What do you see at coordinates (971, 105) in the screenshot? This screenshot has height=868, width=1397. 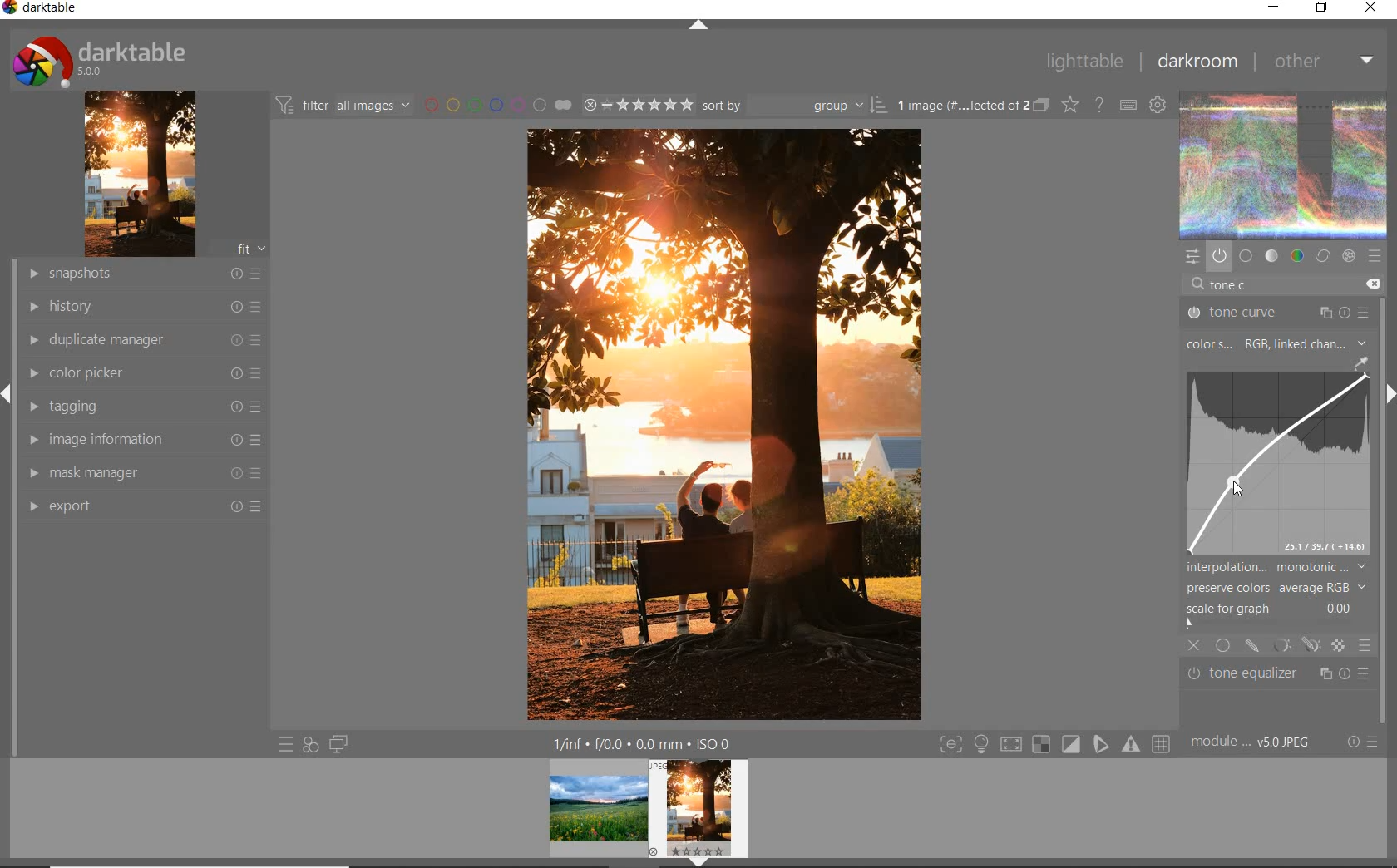 I see `1 image (#.... lected of 2)` at bounding box center [971, 105].